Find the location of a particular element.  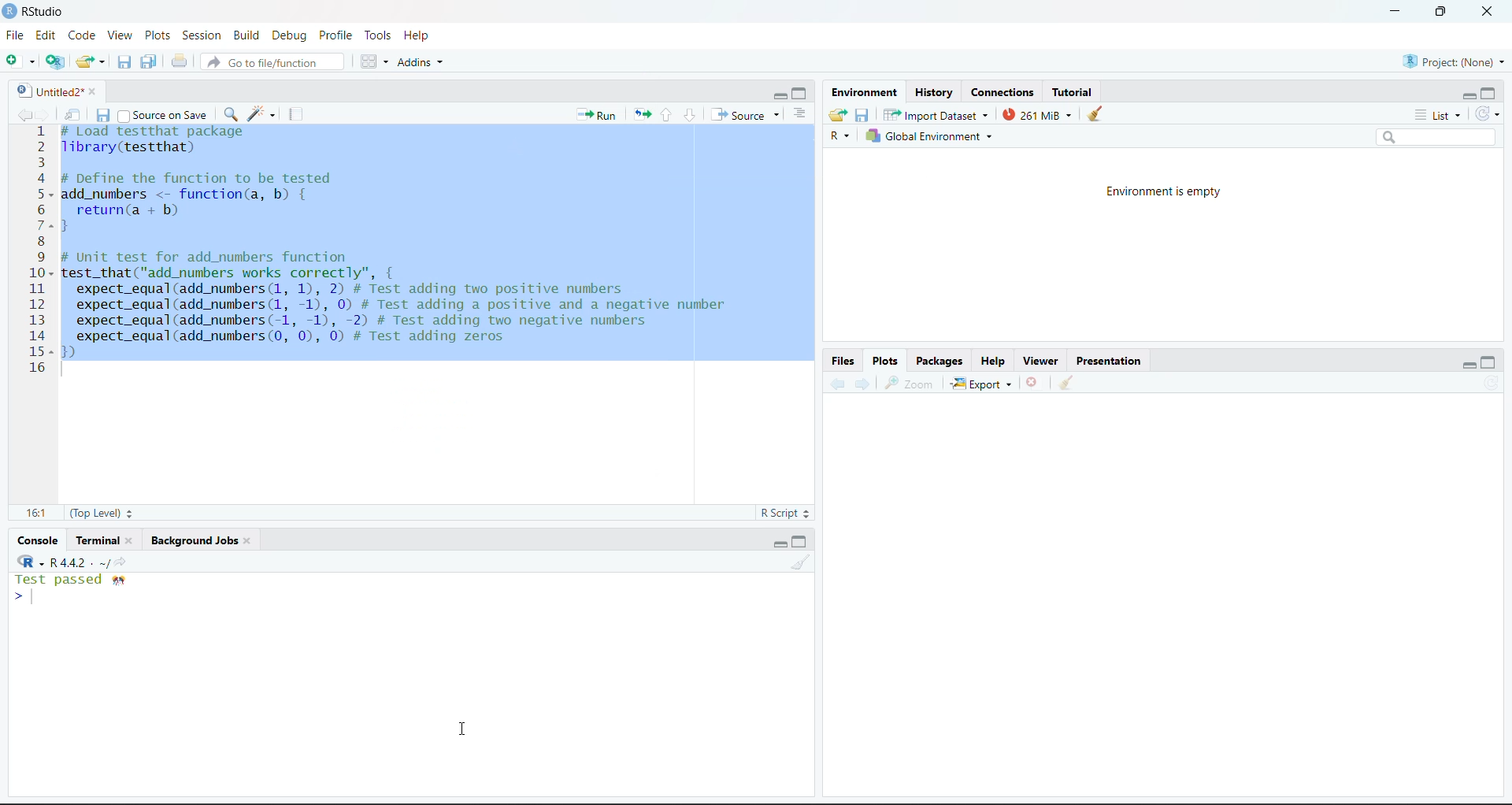

R Script is located at coordinates (777, 513).